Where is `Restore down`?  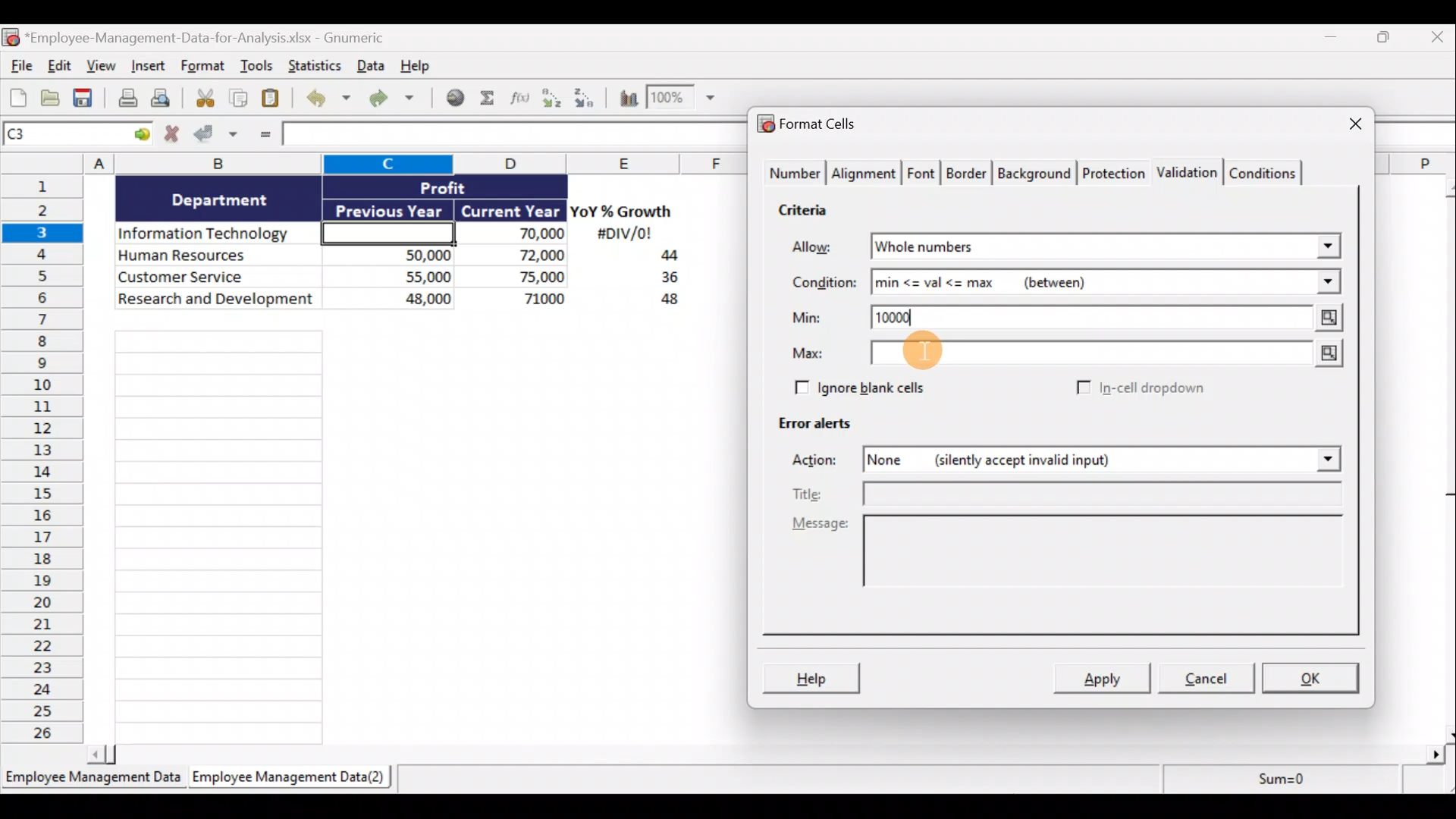
Restore down is located at coordinates (1385, 41).